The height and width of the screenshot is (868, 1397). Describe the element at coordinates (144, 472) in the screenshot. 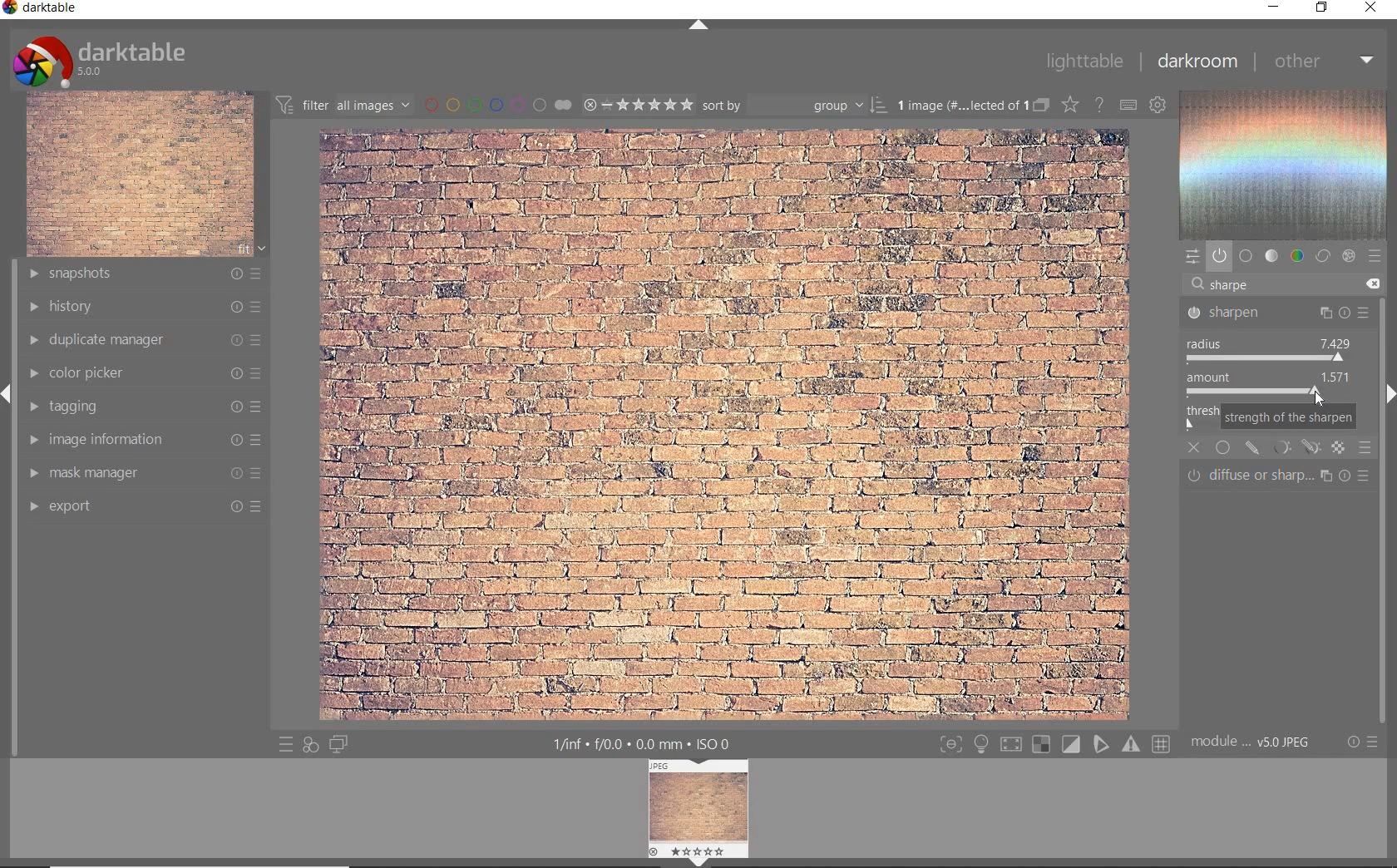

I see `mask manager` at that location.